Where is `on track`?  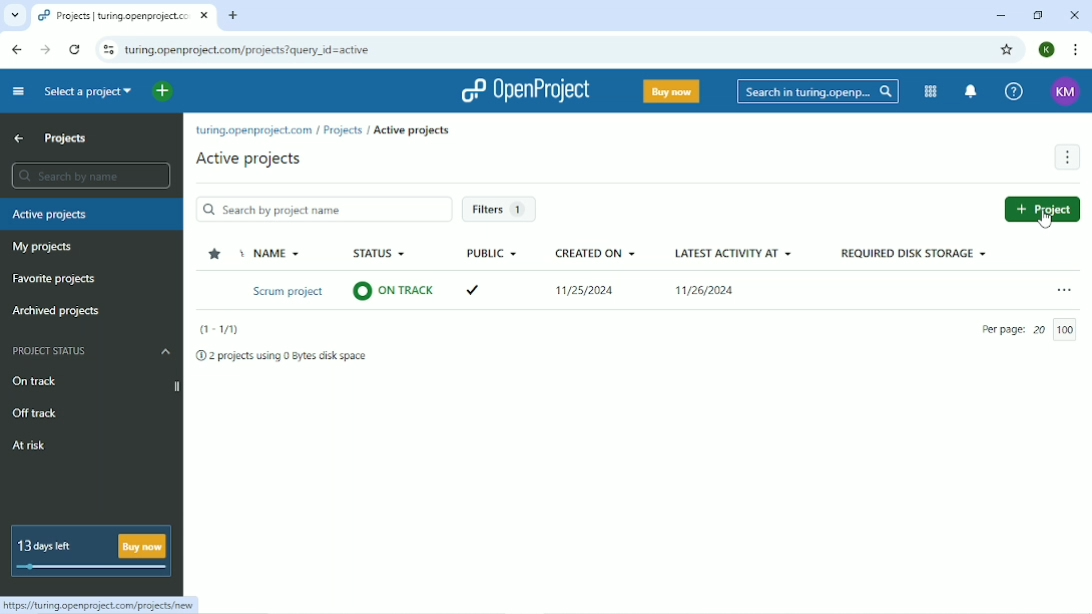 on track is located at coordinates (395, 294).